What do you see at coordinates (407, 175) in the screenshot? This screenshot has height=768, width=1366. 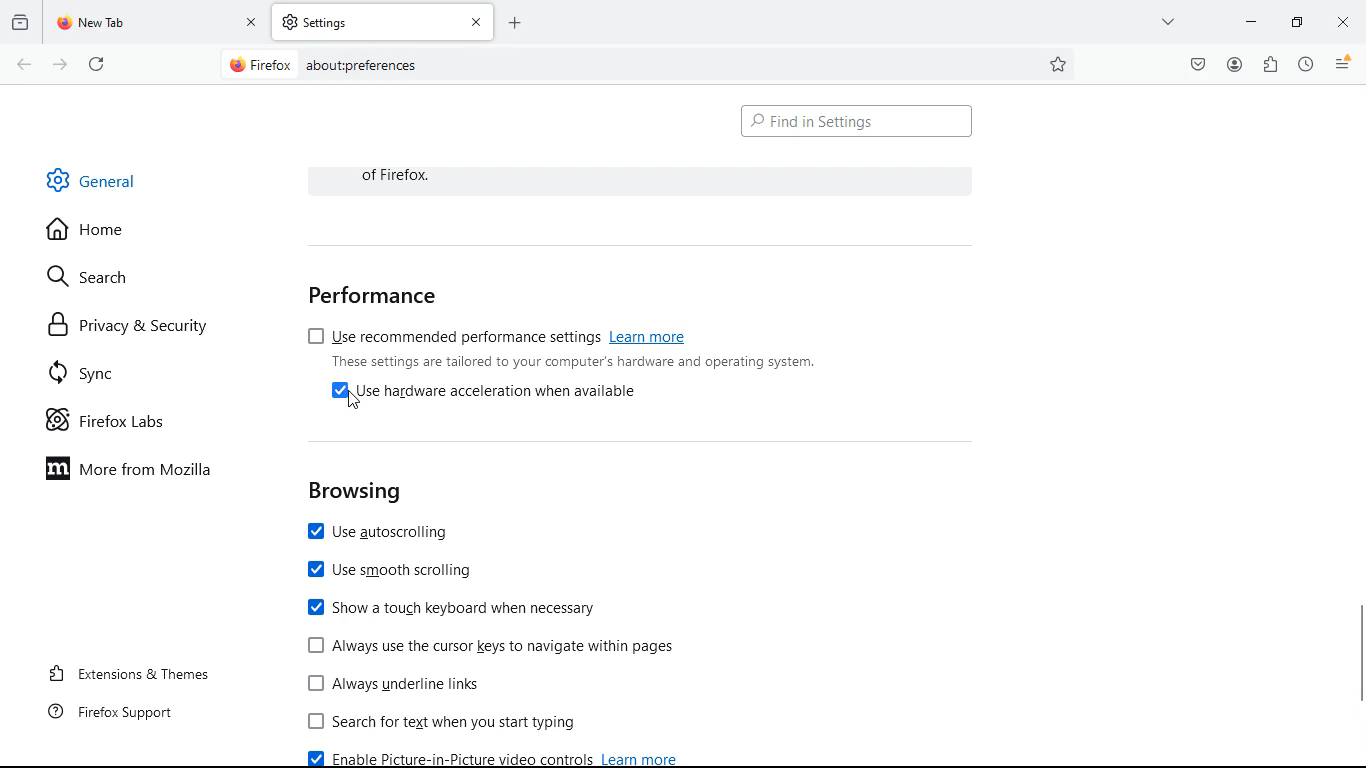 I see `of Firefox.` at bounding box center [407, 175].